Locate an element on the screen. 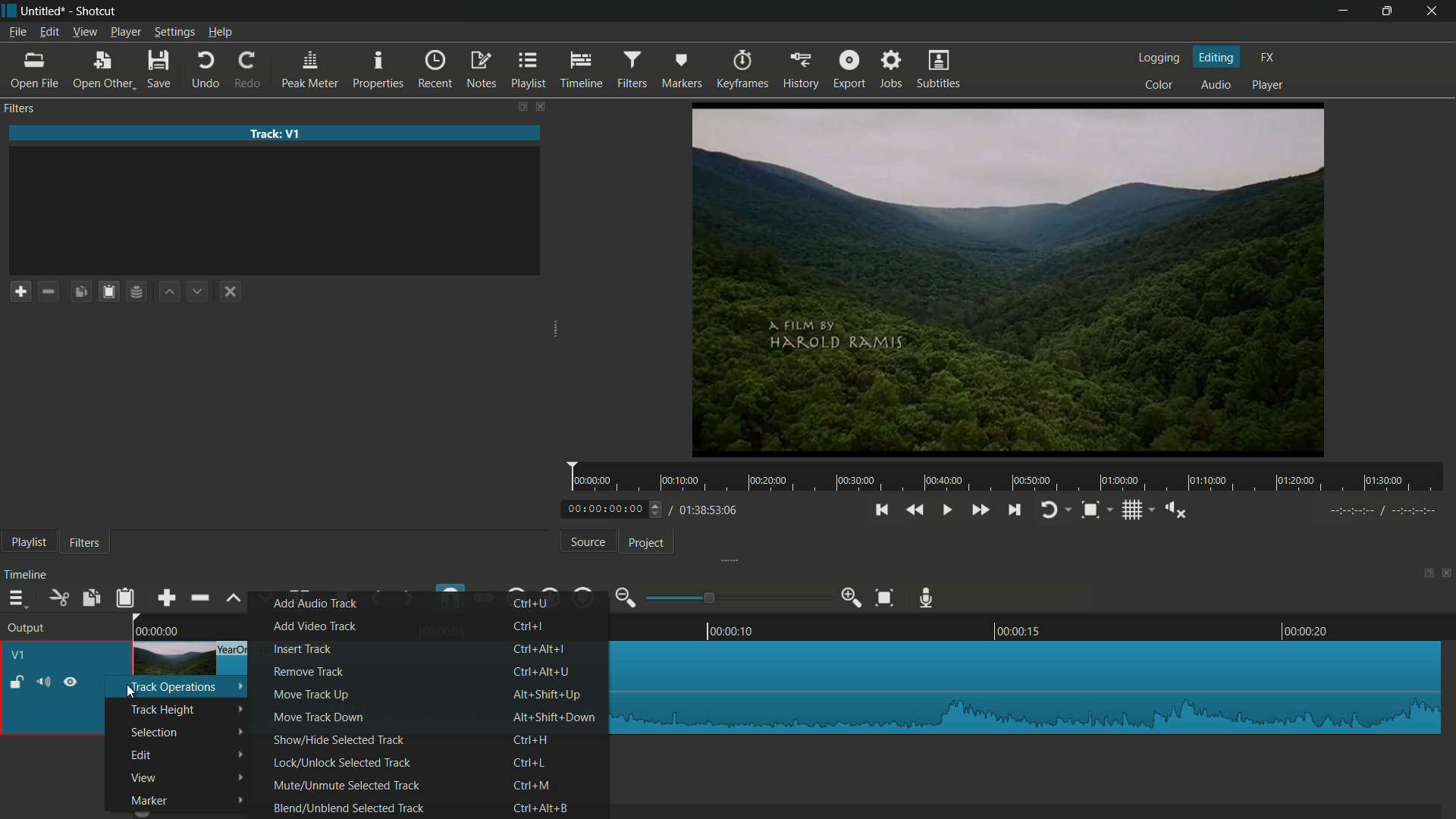 The height and width of the screenshot is (819, 1456). quickly play backward is located at coordinates (915, 510).